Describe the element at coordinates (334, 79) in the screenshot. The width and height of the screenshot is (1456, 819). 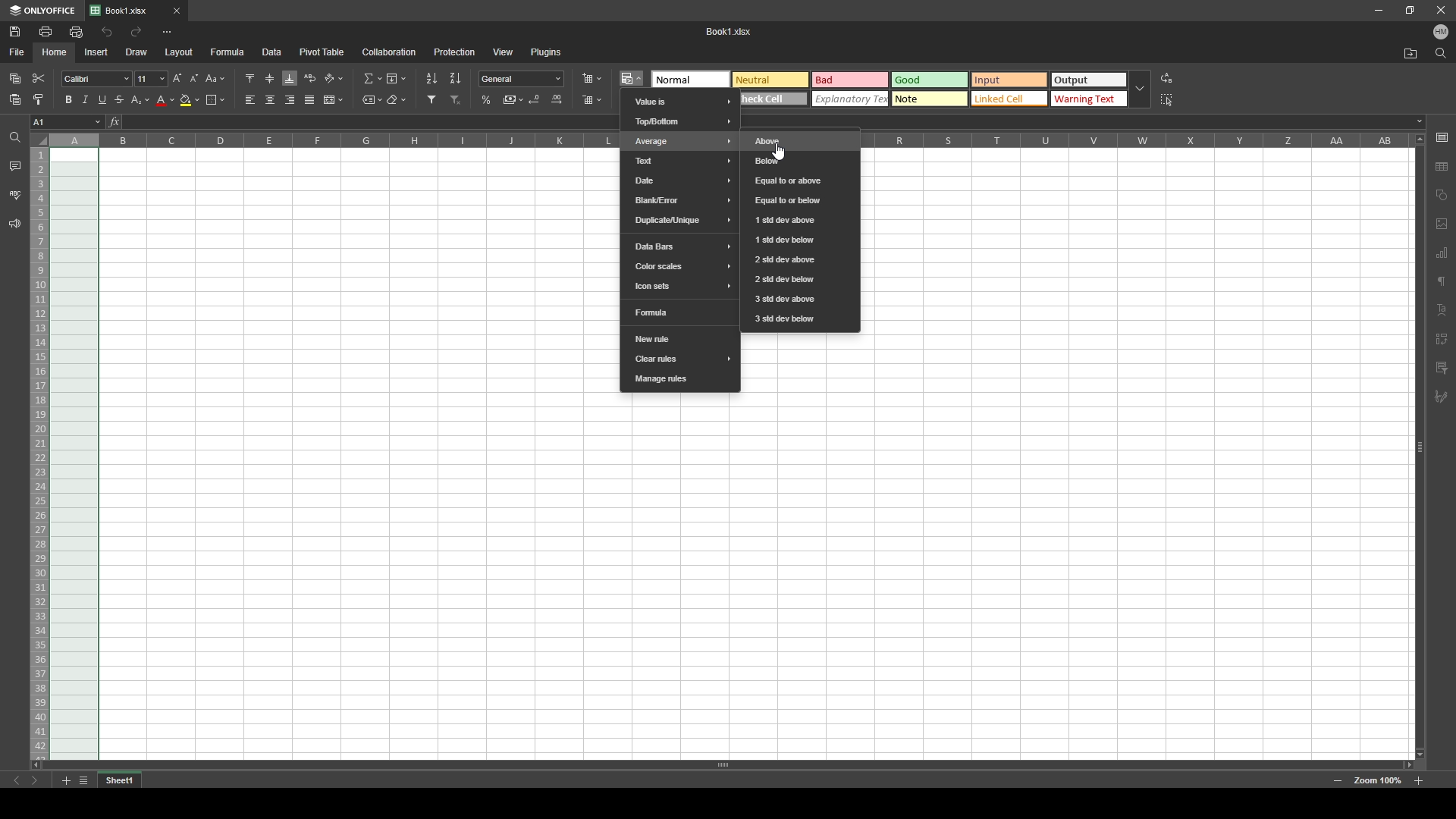
I see `orientation` at that location.